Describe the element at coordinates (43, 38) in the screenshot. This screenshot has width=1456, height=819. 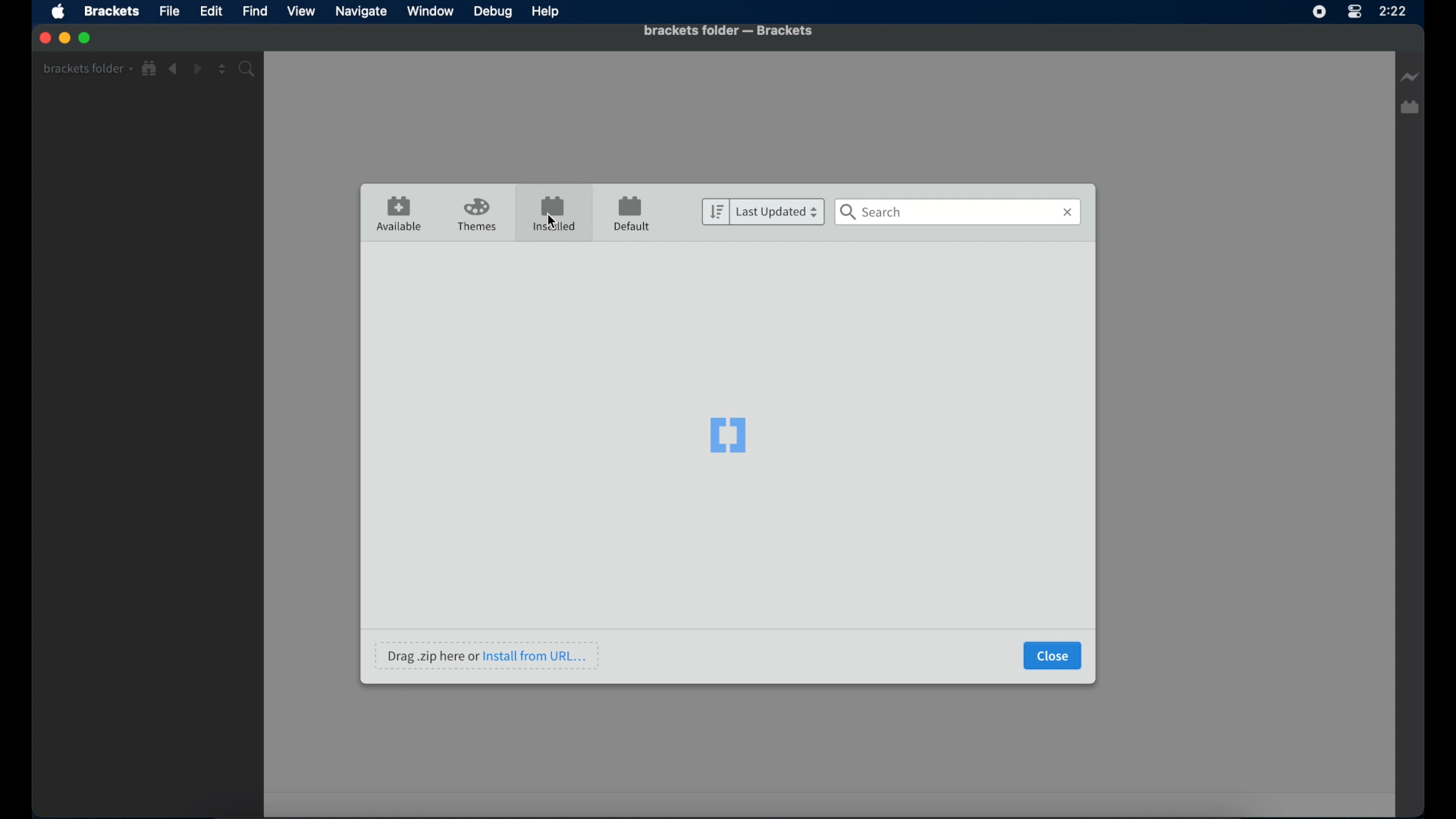
I see `close` at that location.